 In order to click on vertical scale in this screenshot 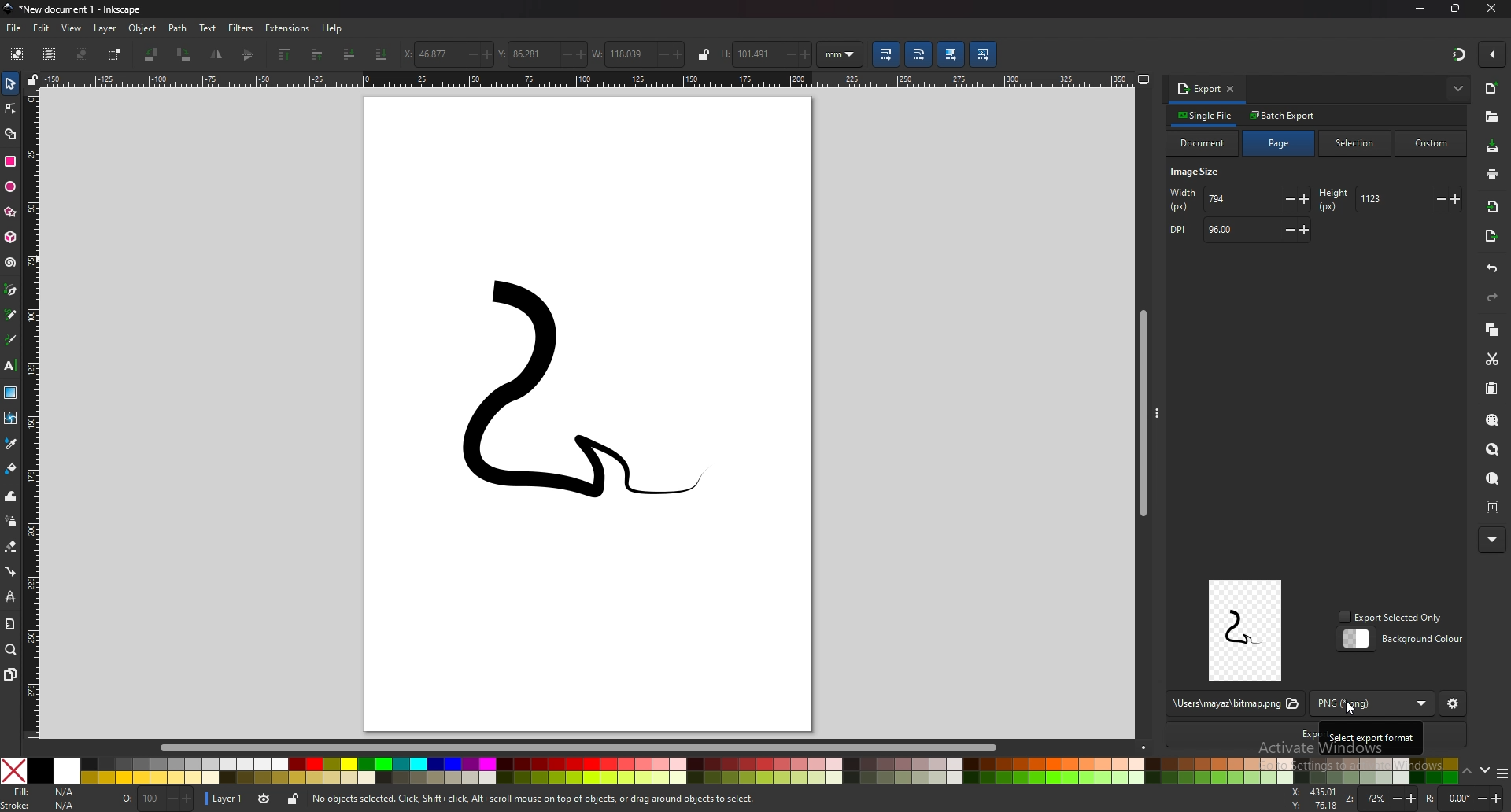, I will do `click(34, 412)`.